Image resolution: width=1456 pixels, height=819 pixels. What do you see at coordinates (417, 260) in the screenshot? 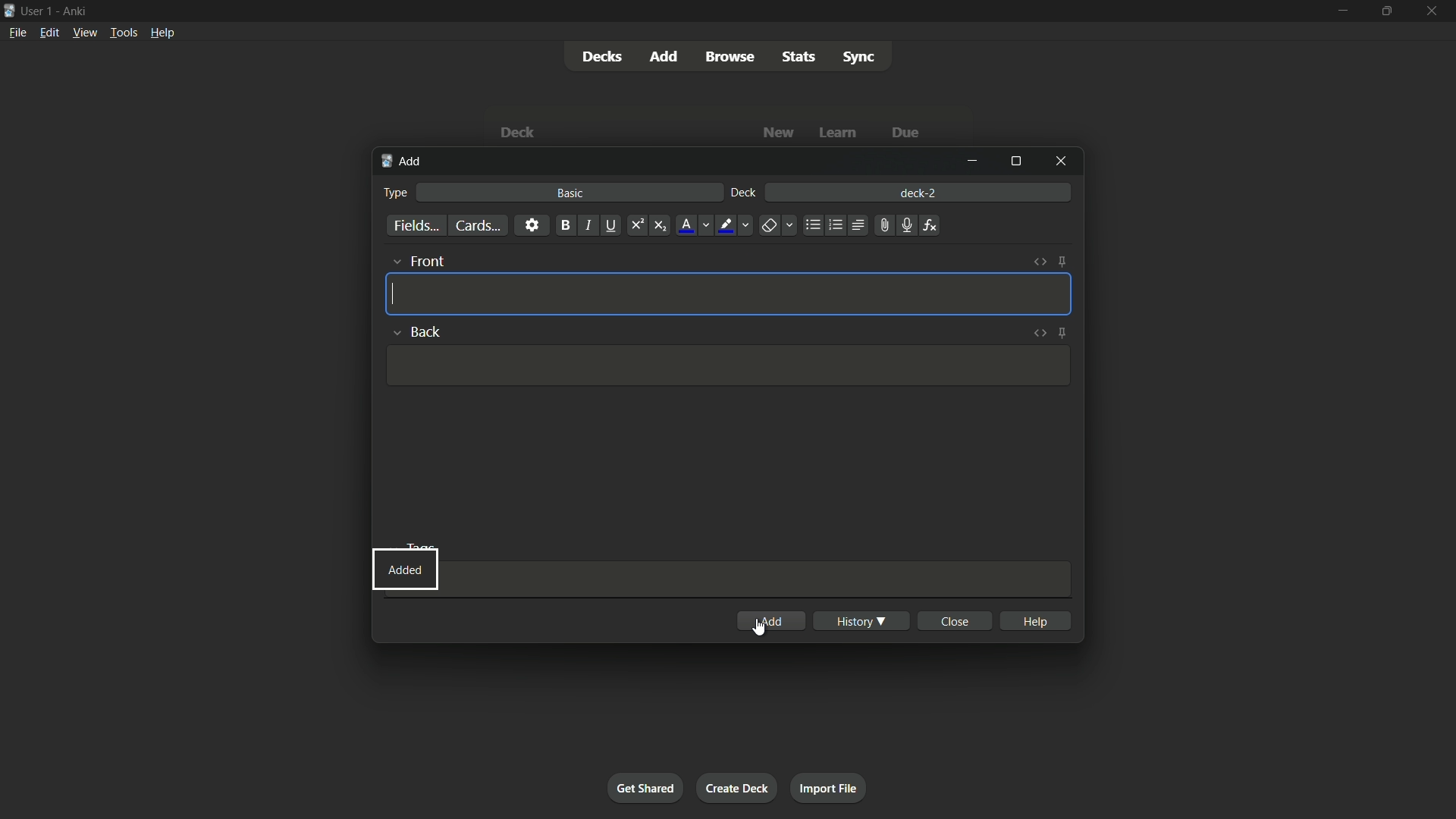
I see `front` at bounding box center [417, 260].